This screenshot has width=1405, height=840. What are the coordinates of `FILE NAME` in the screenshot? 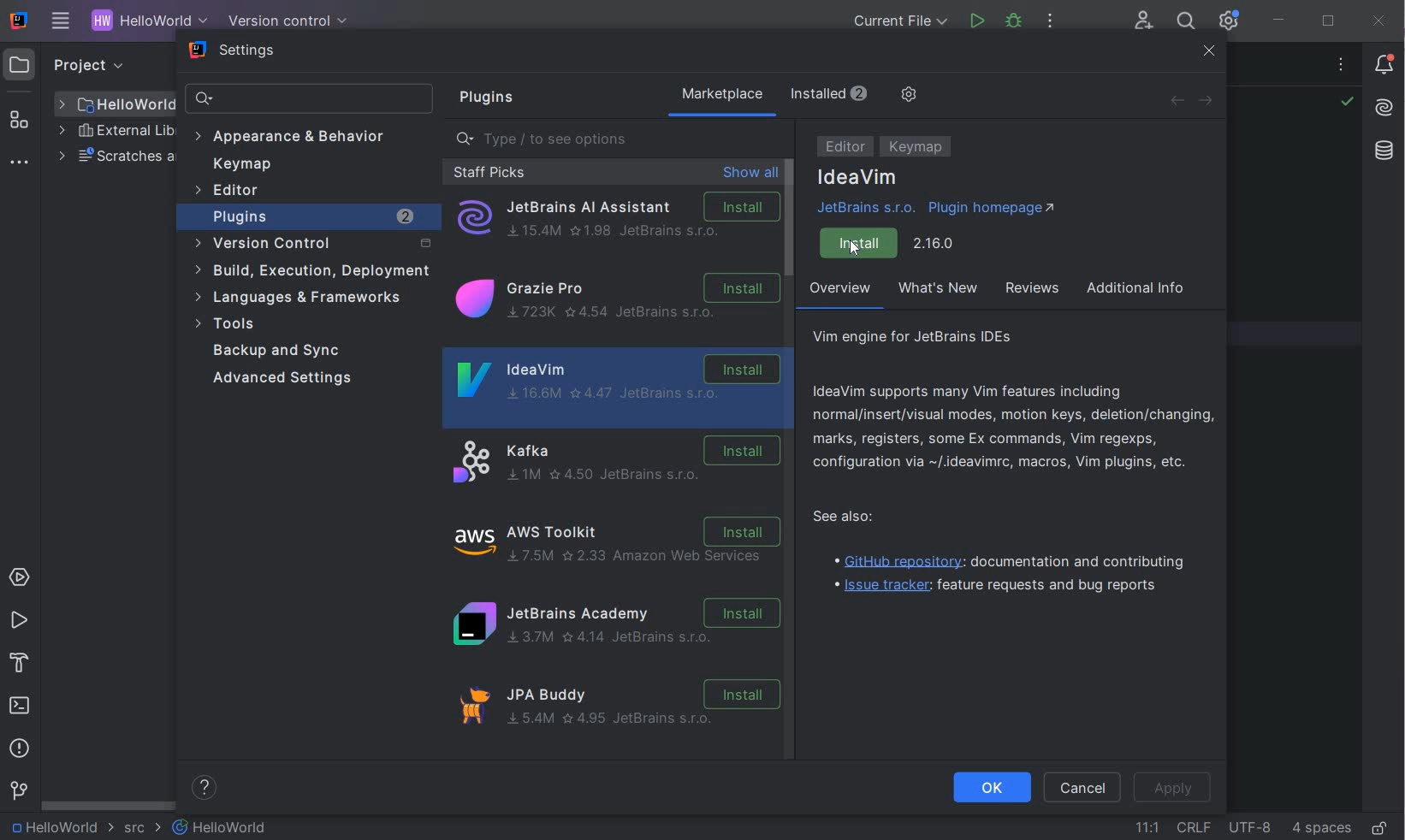 It's located at (221, 827).